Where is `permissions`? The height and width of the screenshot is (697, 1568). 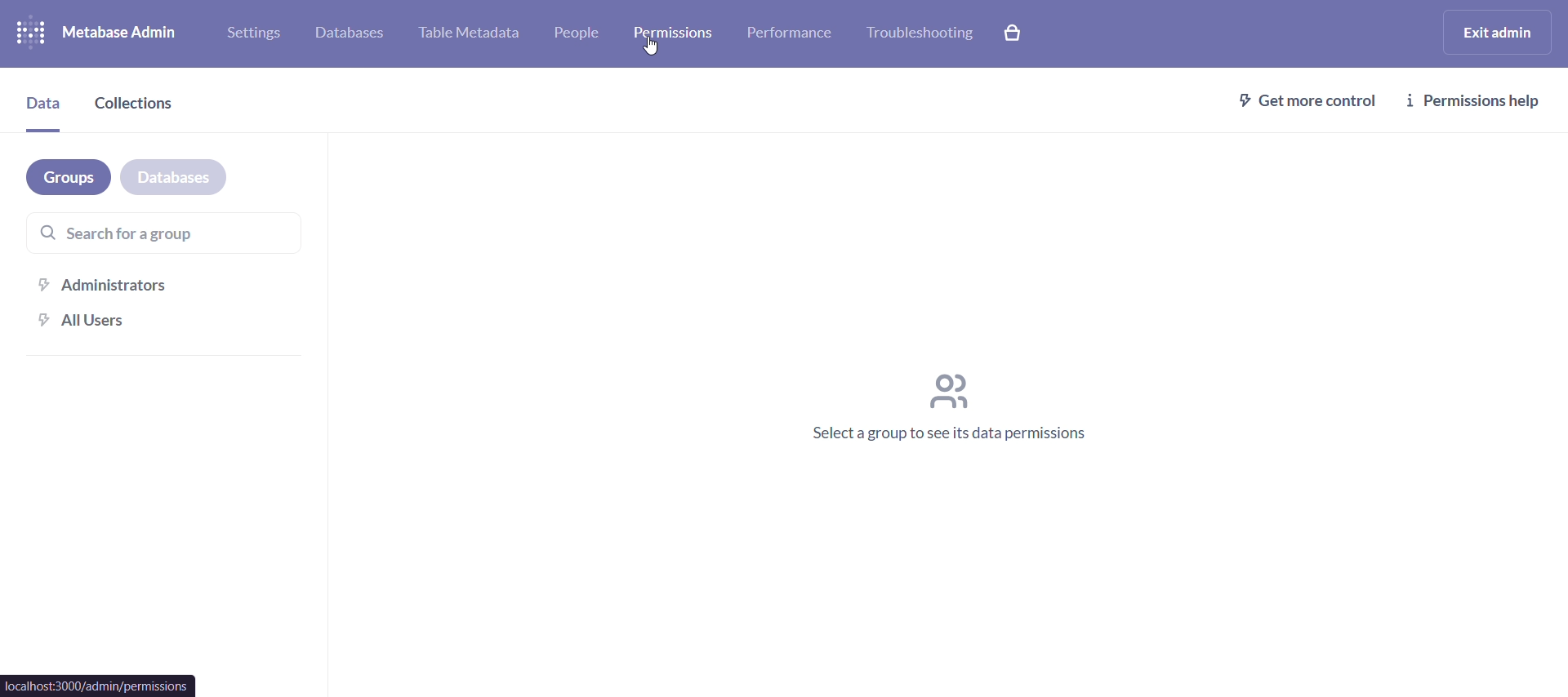
permissions is located at coordinates (681, 33).